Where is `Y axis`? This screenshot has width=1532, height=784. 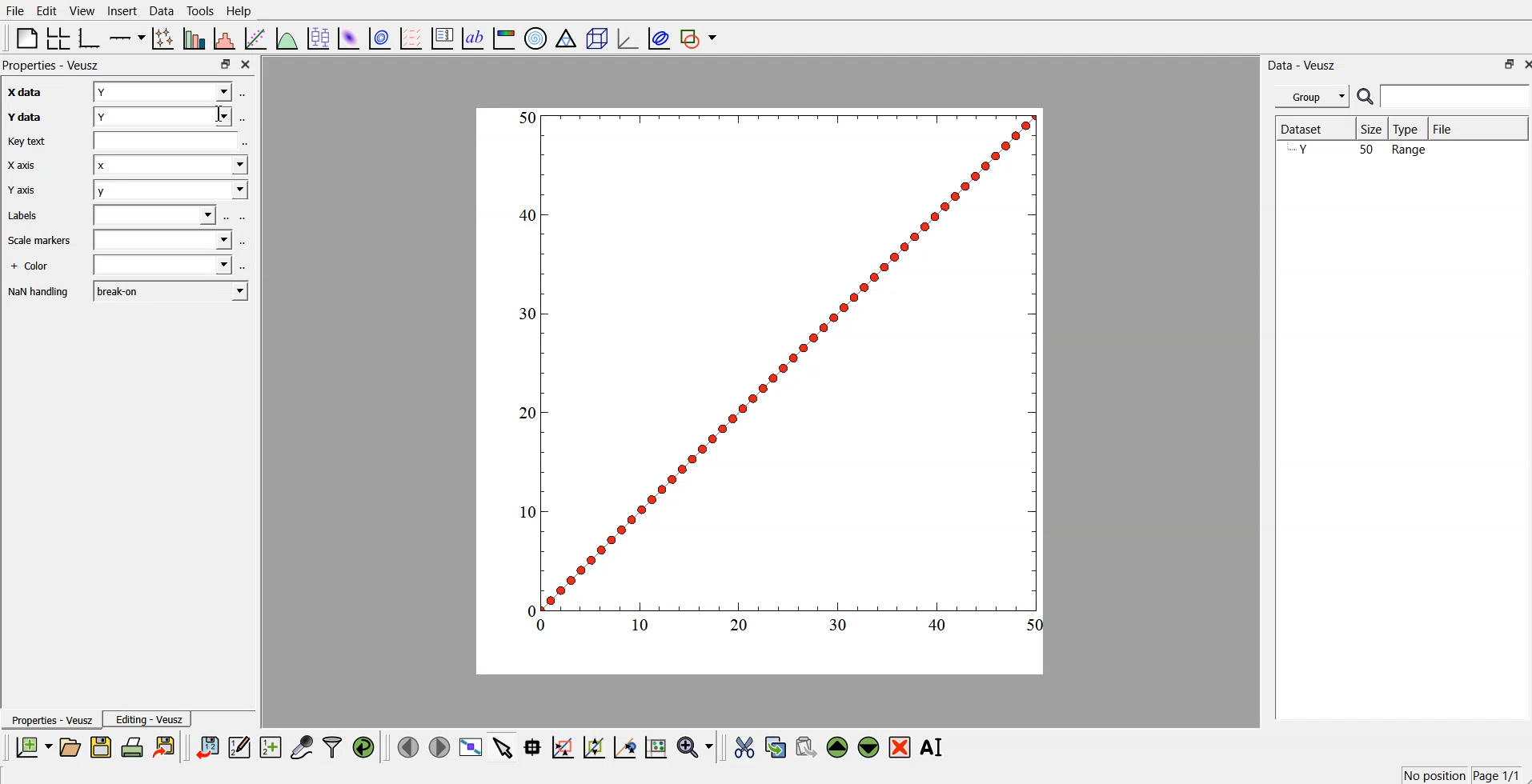
Y axis is located at coordinates (28, 190).